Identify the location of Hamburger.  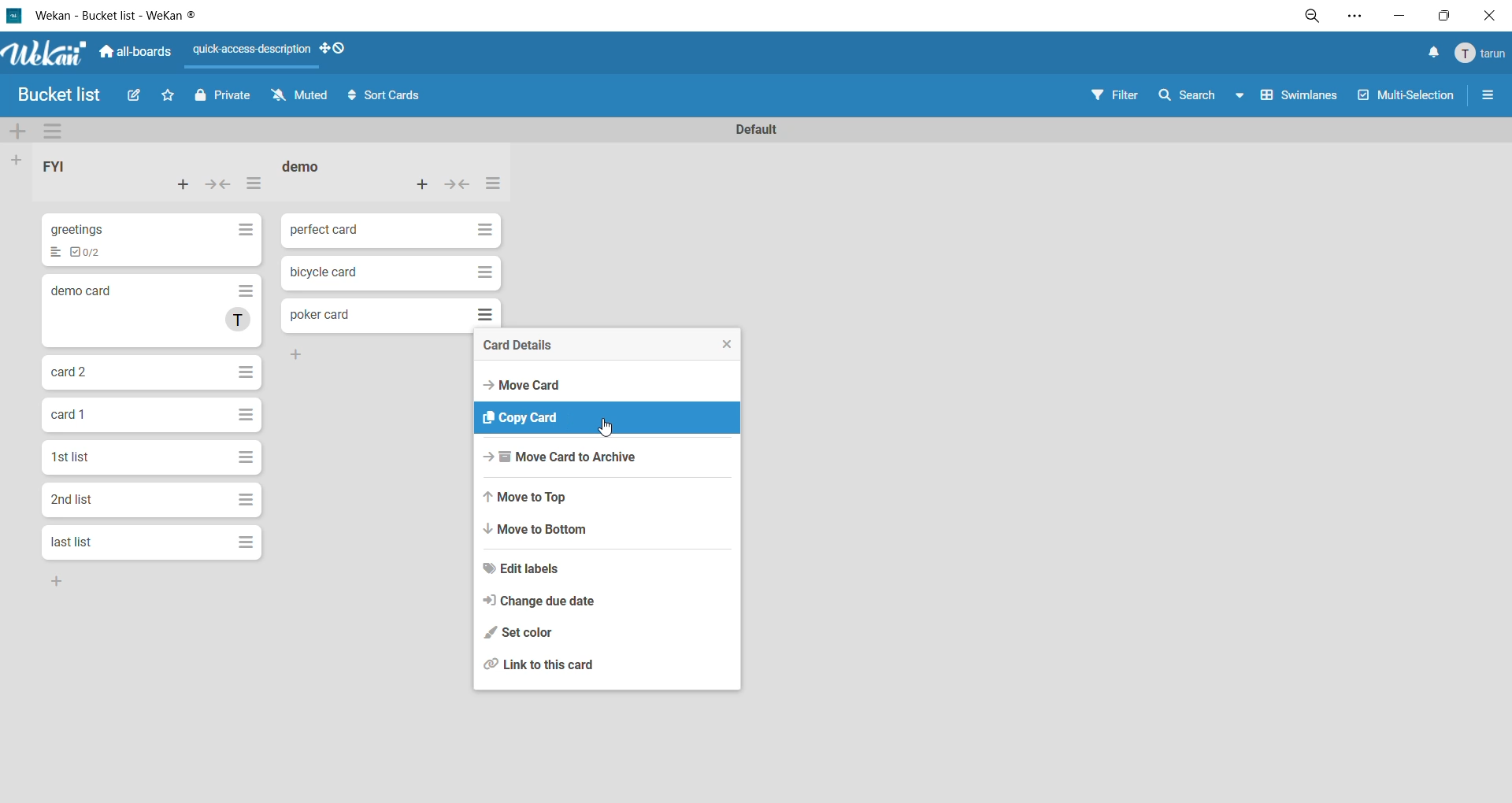
(250, 453).